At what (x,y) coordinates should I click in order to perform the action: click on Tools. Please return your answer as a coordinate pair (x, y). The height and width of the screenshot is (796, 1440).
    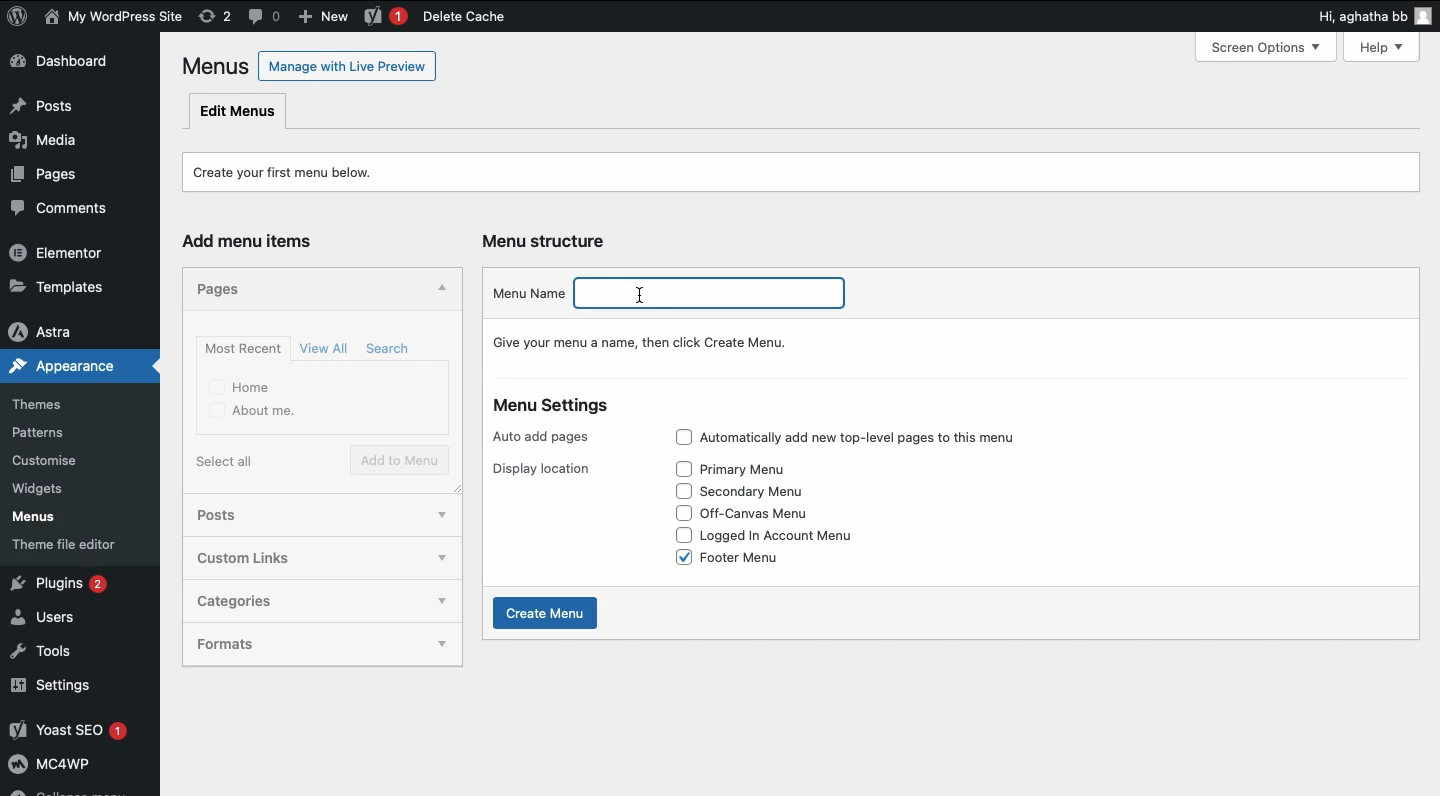
    Looking at the image, I should click on (50, 652).